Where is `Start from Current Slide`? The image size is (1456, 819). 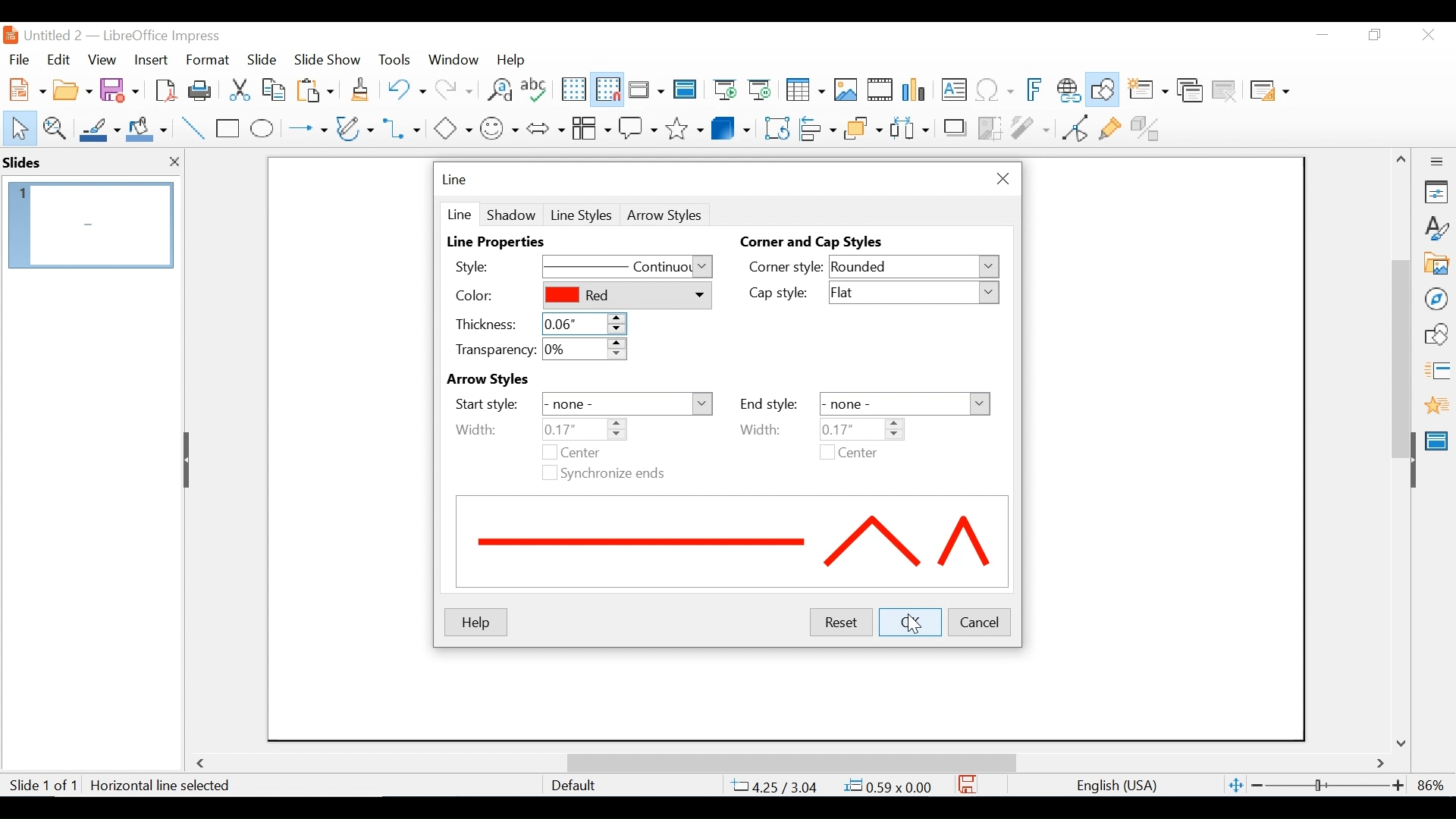 Start from Current Slide is located at coordinates (759, 91).